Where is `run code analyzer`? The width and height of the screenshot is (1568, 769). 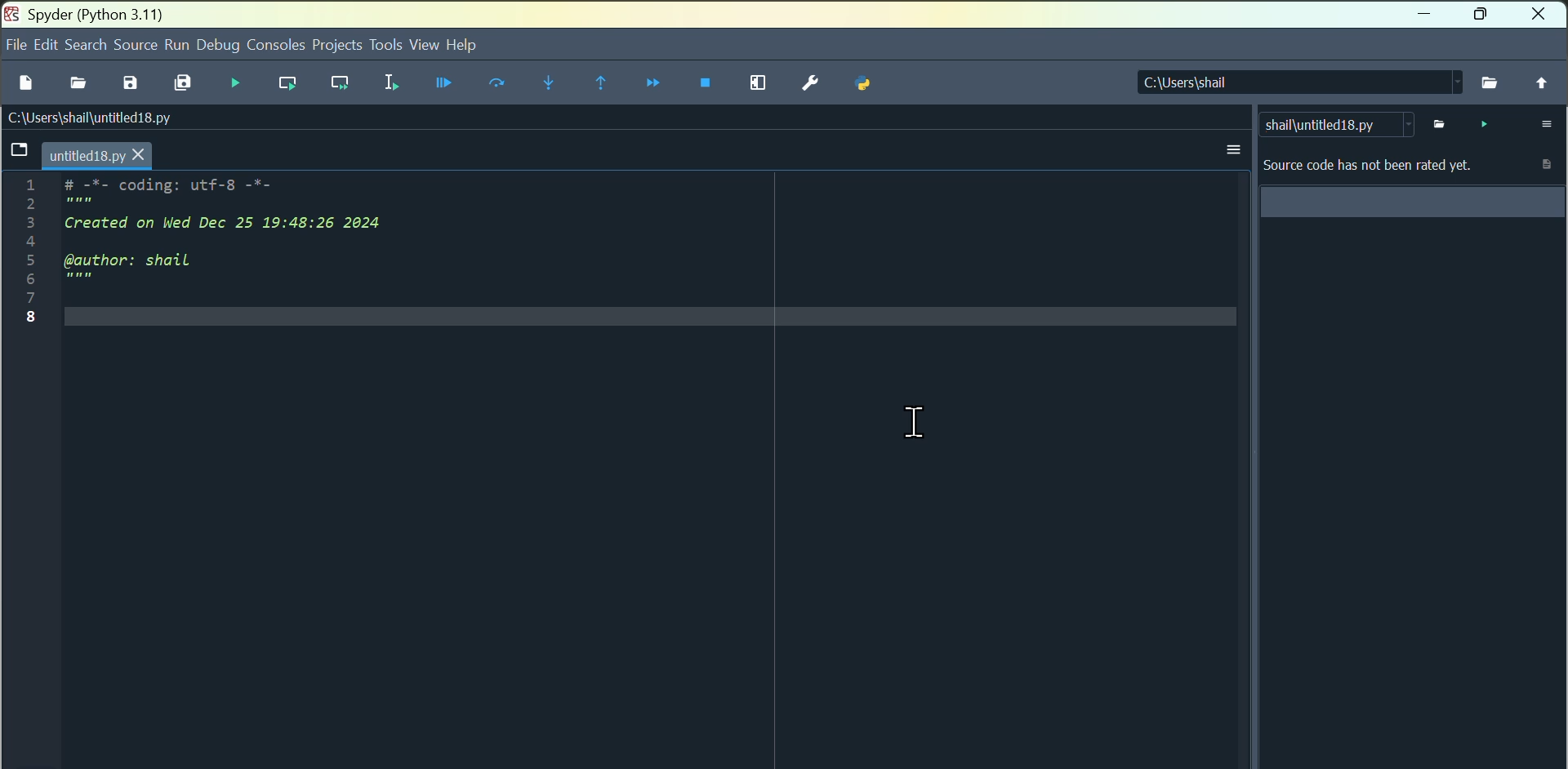 run code analyzer is located at coordinates (1481, 123).